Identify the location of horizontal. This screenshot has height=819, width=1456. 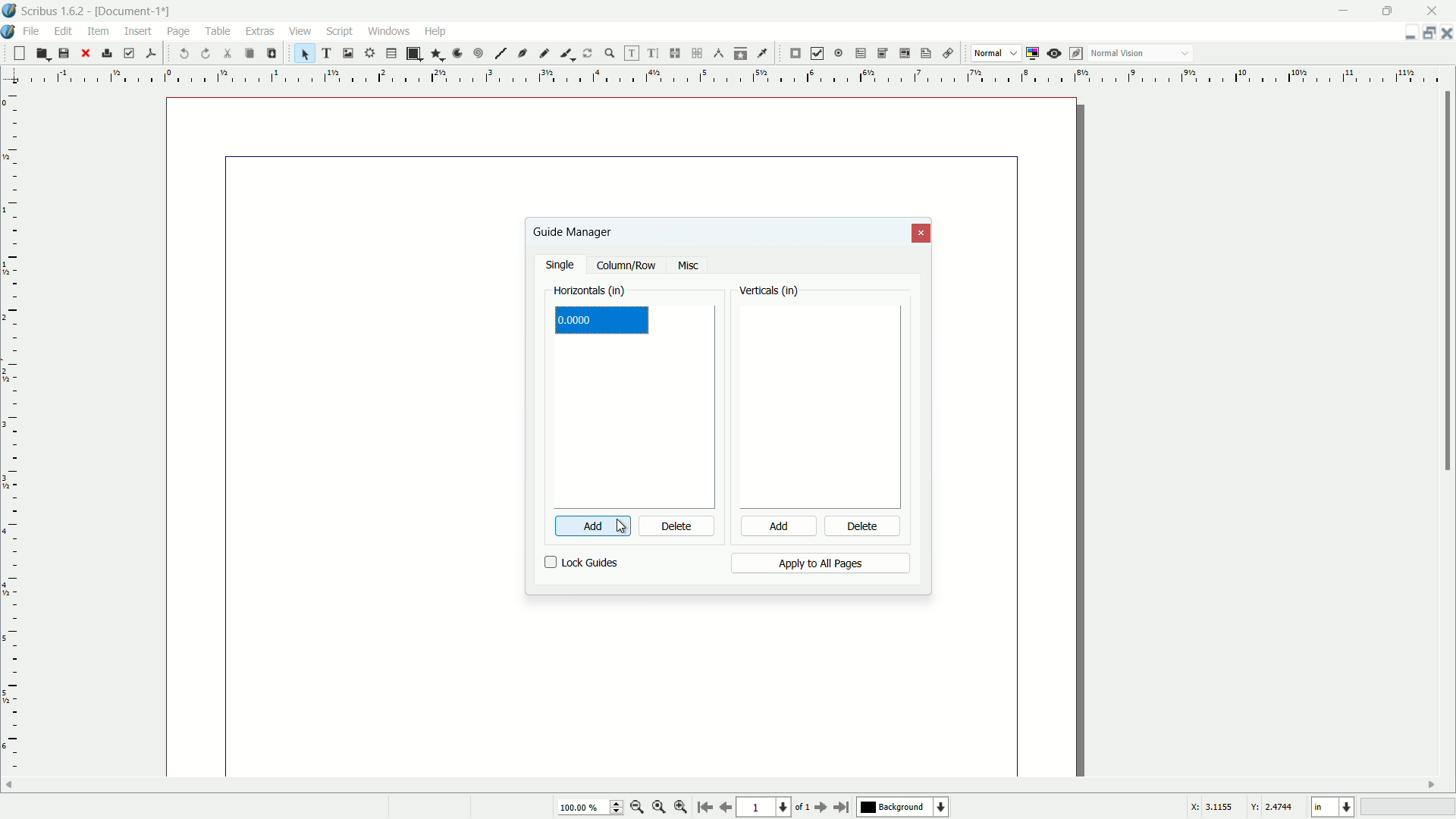
(590, 291).